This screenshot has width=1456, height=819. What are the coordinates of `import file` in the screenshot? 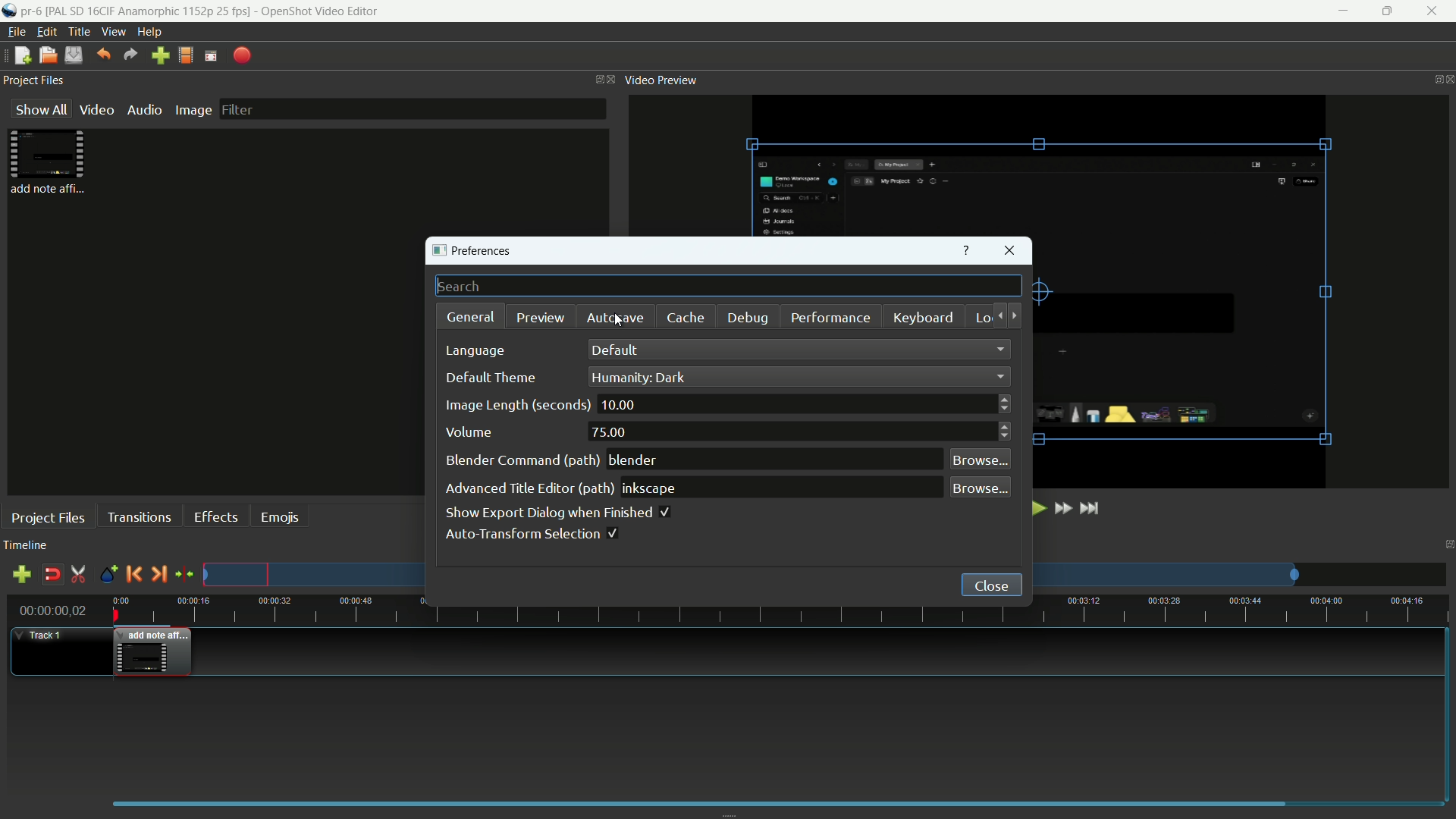 It's located at (159, 55).